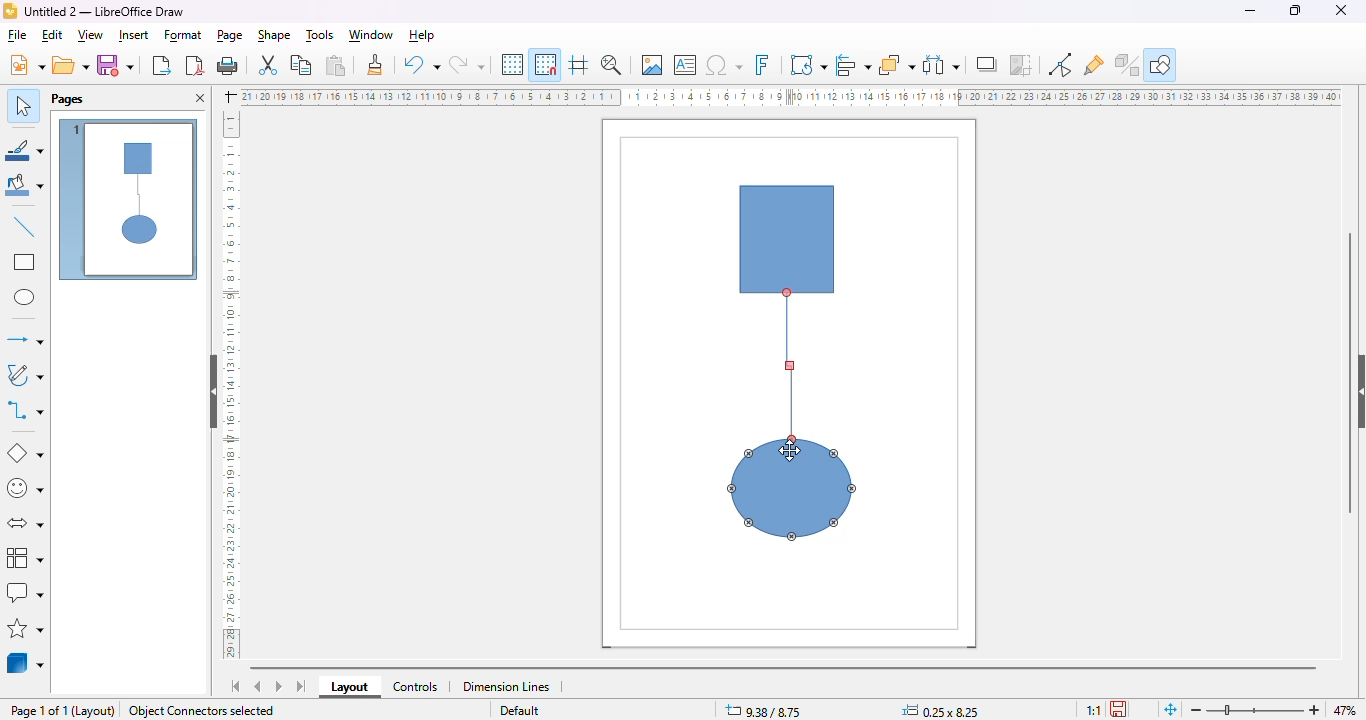  I want to click on horizontal scroll bar, so click(787, 665).